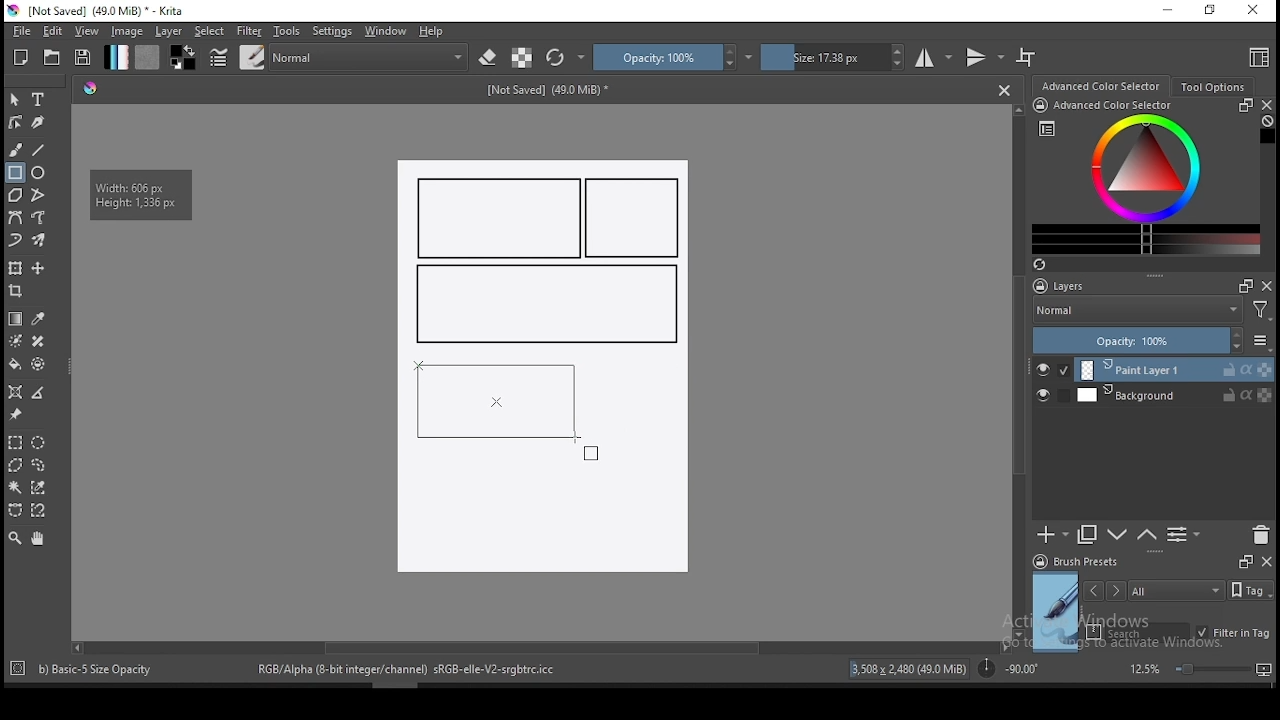 The image size is (1280, 720). Describe the element at coordinates (147, 57) in the screenshot. I see `pattern` at that location.